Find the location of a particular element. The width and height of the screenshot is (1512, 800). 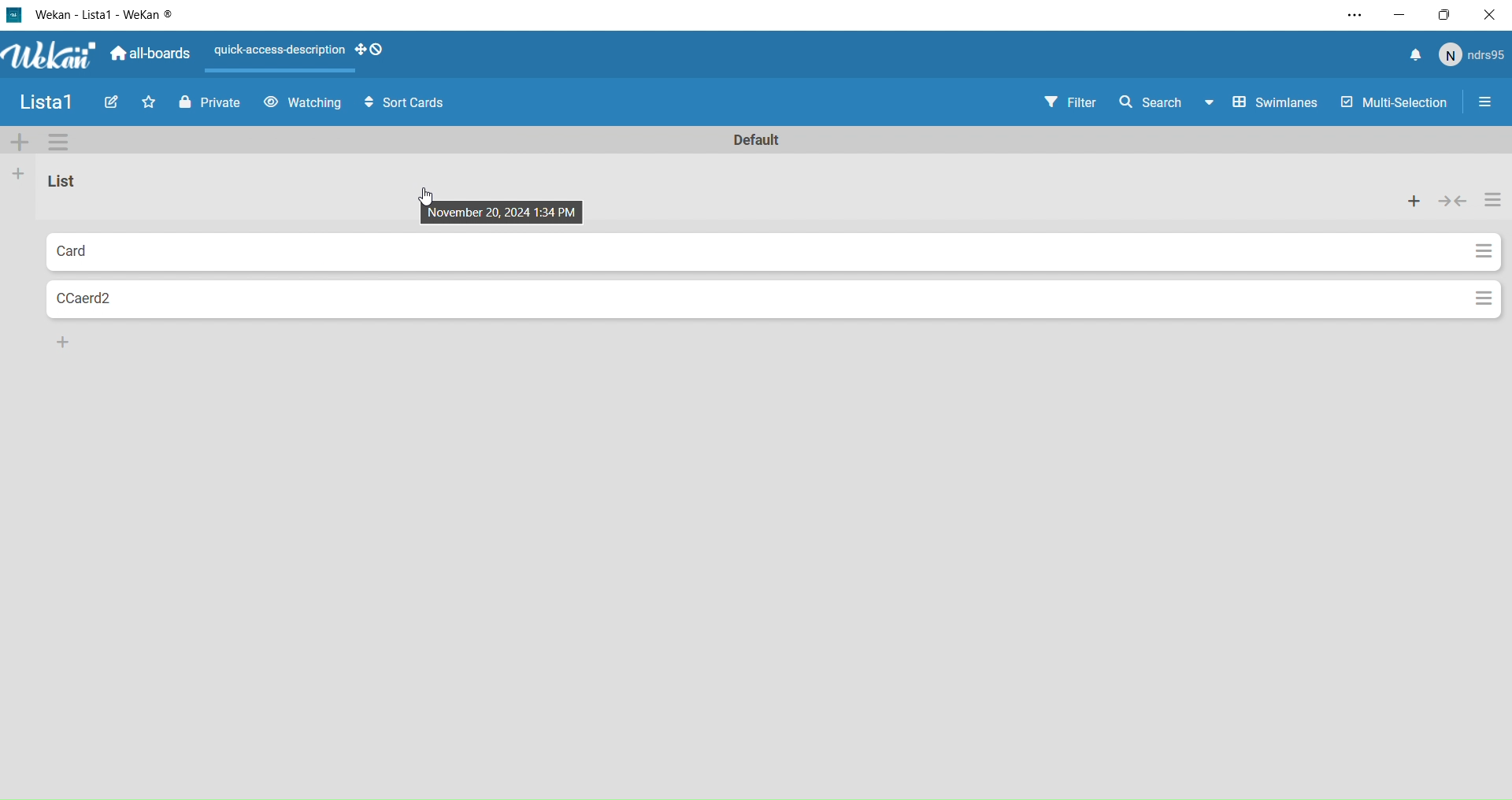

Favourites is located at coordinates (149, 103).